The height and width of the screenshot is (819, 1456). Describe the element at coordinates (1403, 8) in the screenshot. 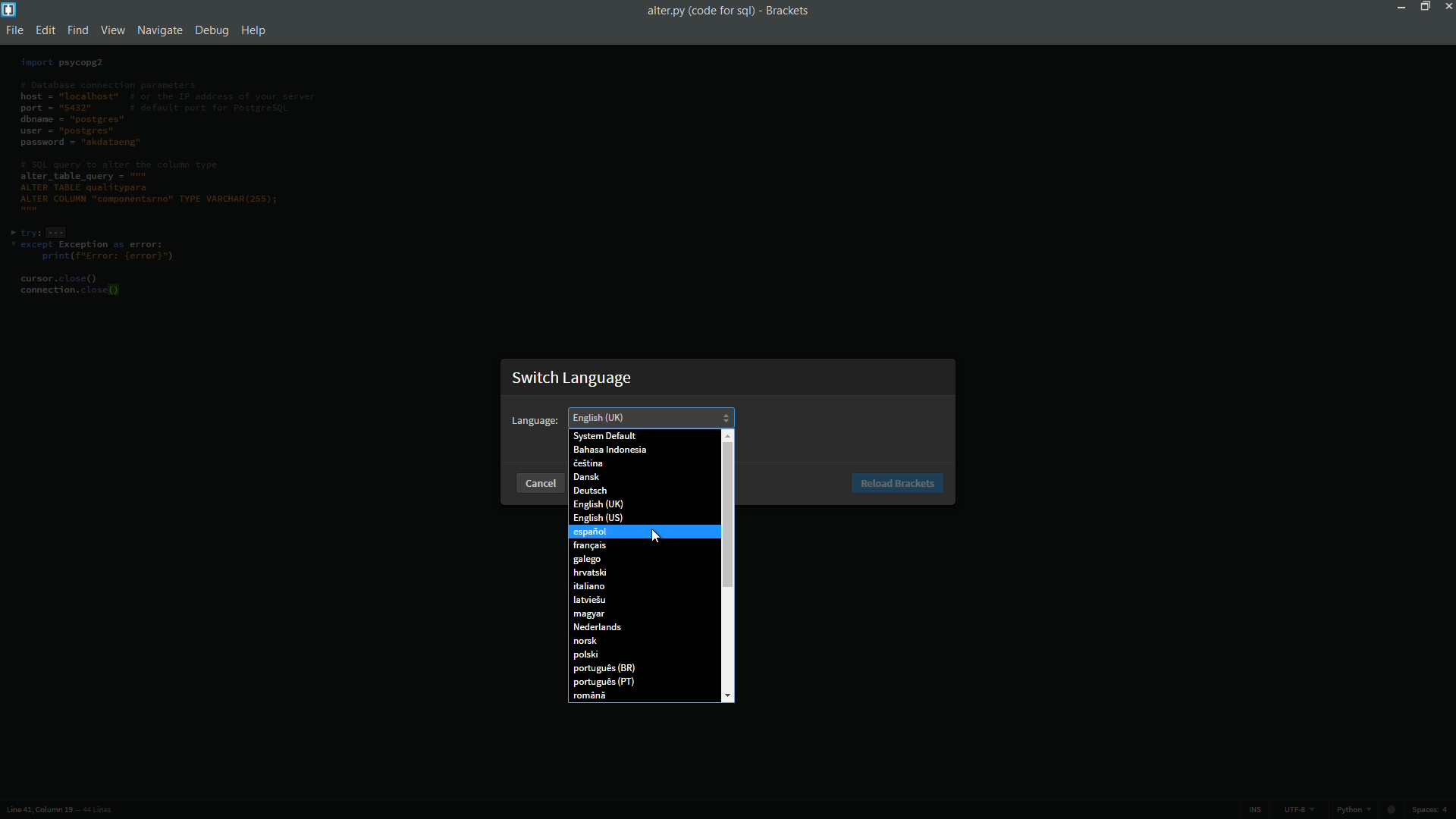

I see `minimize` at that location.